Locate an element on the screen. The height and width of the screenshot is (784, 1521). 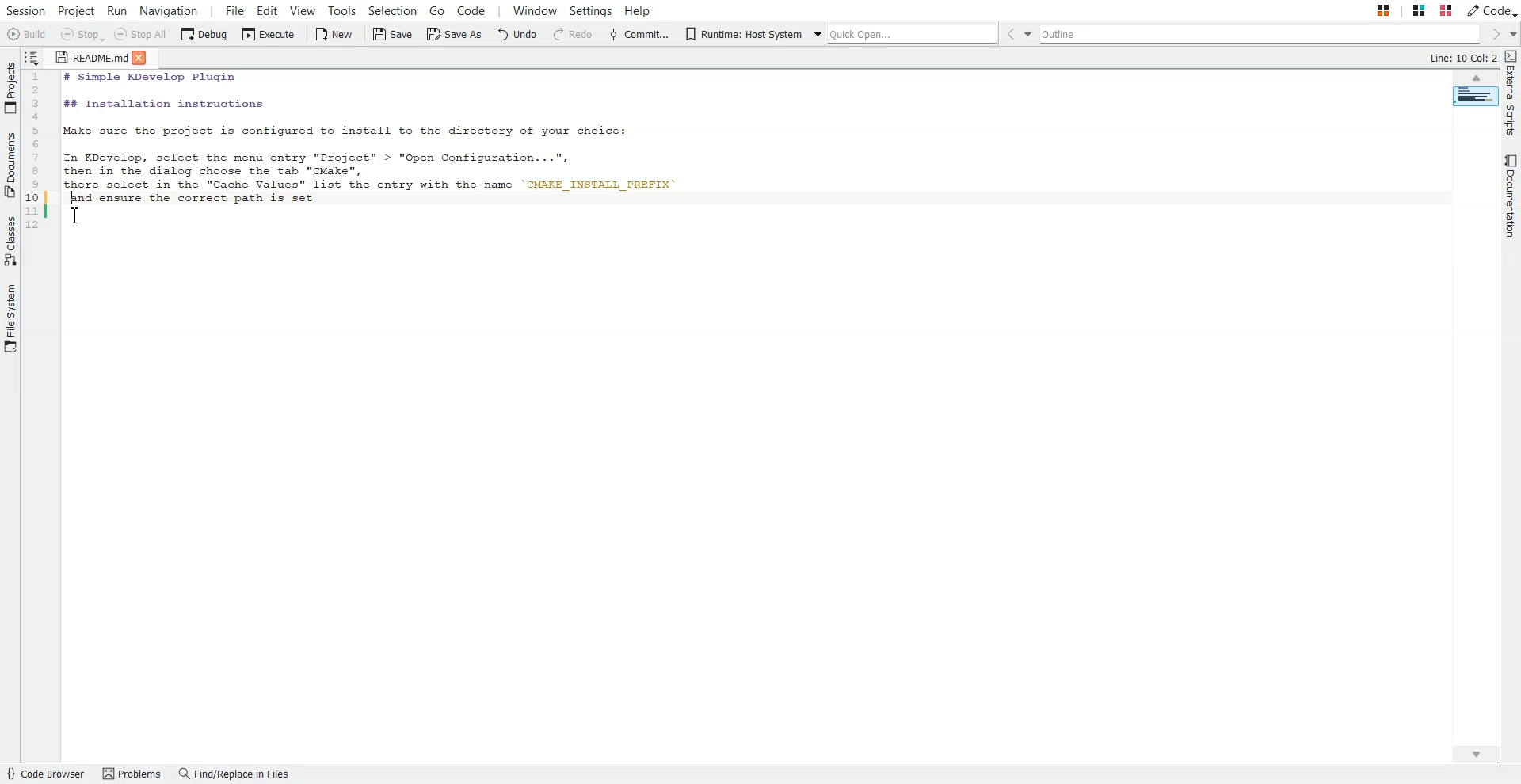
Line: 10 Col: 2 is located at coordinates (1464, 56).